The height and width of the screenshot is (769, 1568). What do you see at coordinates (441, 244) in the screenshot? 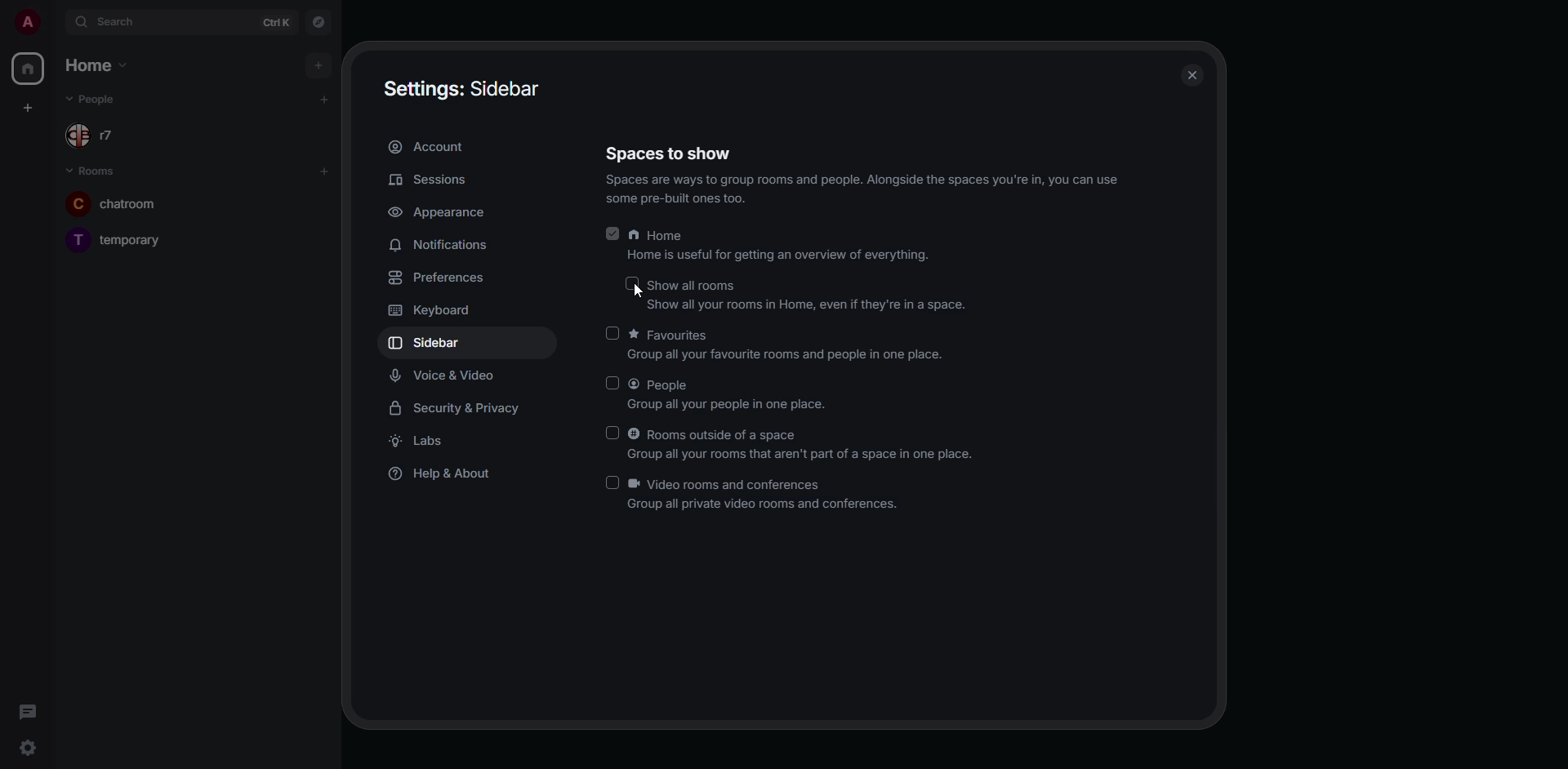
I see `notifications` at bounding box center [441, 244].